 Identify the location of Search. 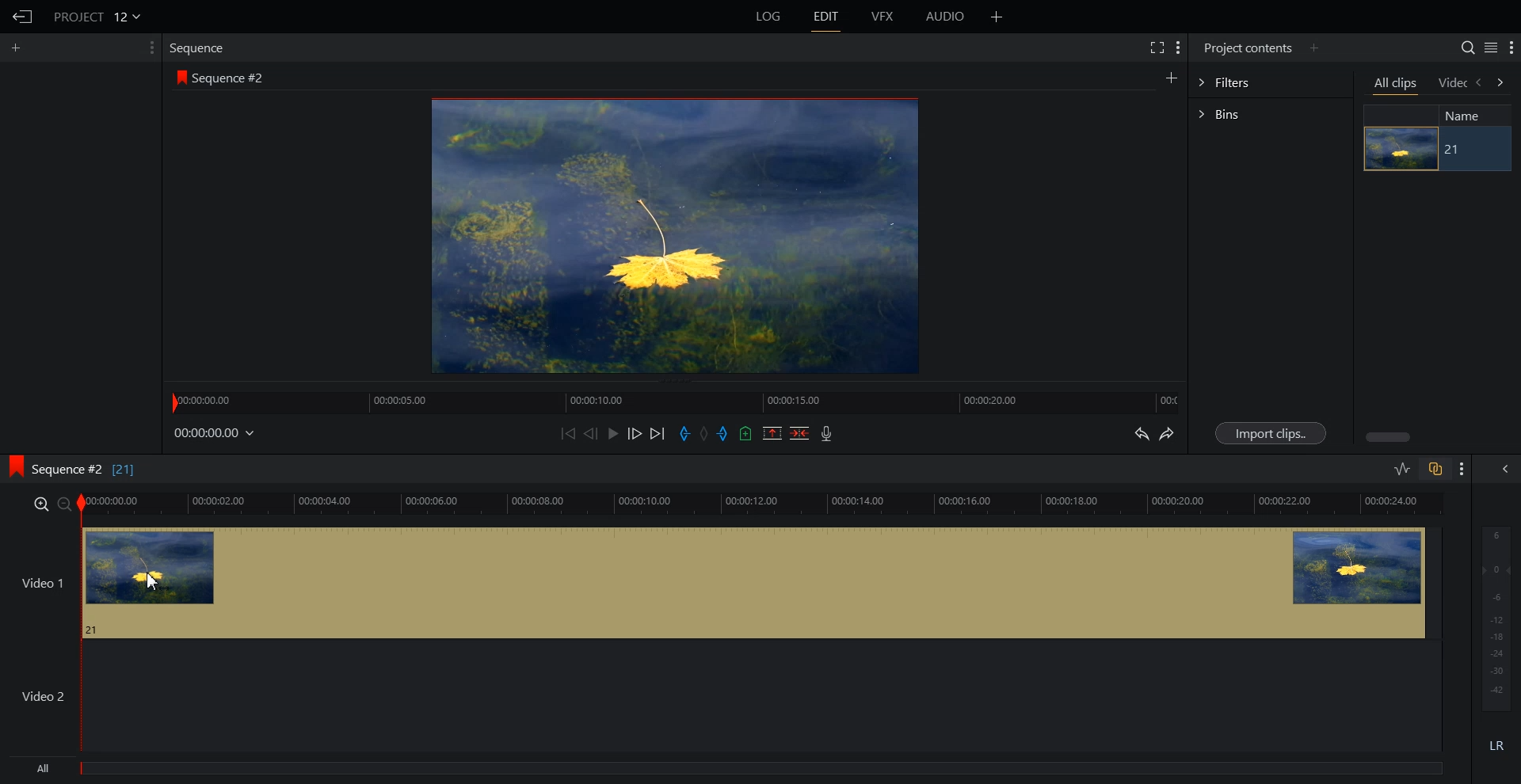
(1466, 47).